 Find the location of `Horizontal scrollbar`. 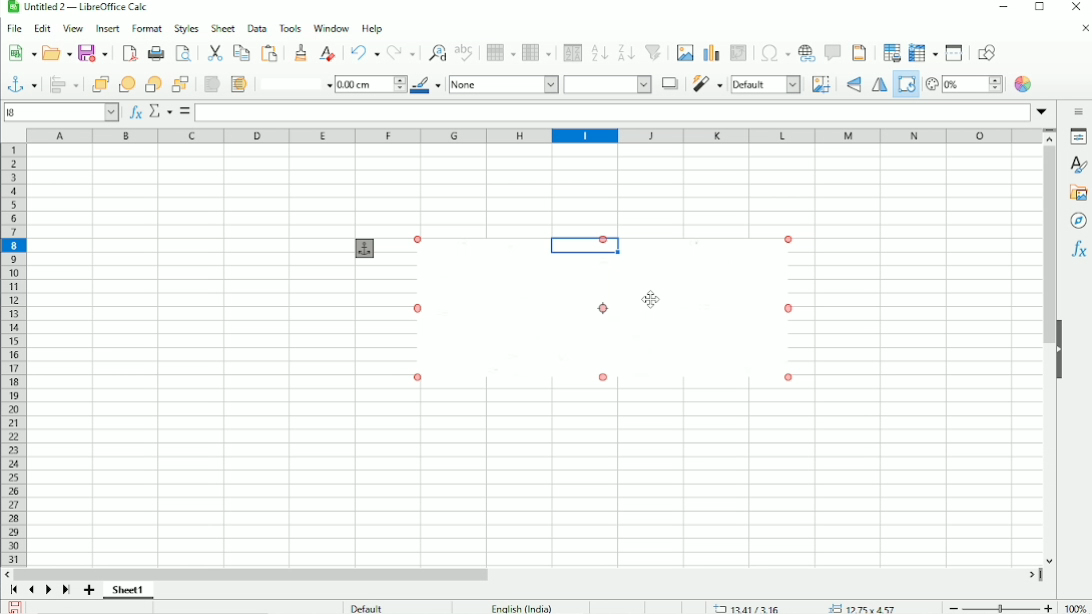

Horizontal scrollbar is located at coordinates (251, 574).